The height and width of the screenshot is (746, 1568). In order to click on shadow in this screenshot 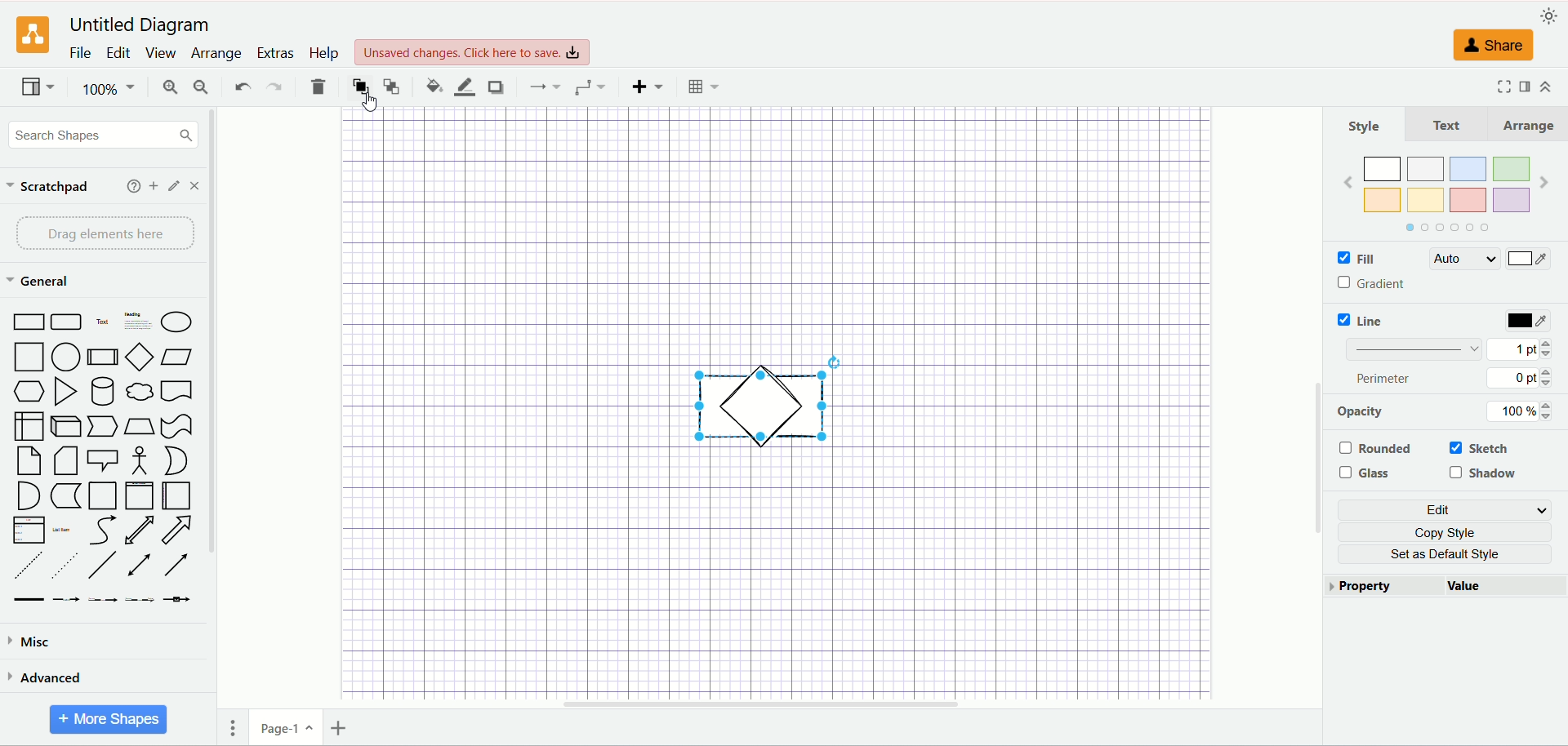, I will do `click(1484, 475)`.